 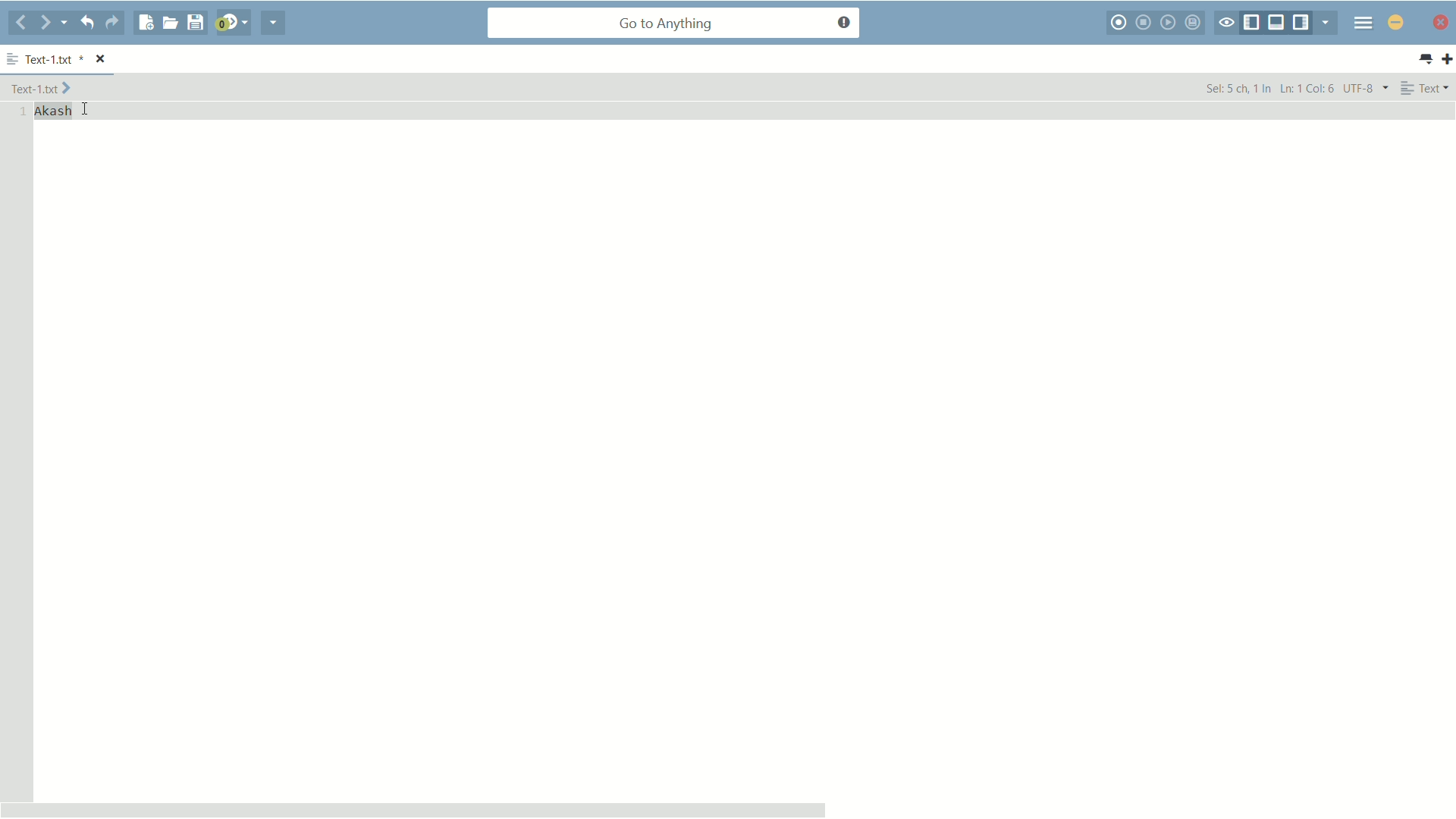 I want to click on line number, so click(x=20, y=112).